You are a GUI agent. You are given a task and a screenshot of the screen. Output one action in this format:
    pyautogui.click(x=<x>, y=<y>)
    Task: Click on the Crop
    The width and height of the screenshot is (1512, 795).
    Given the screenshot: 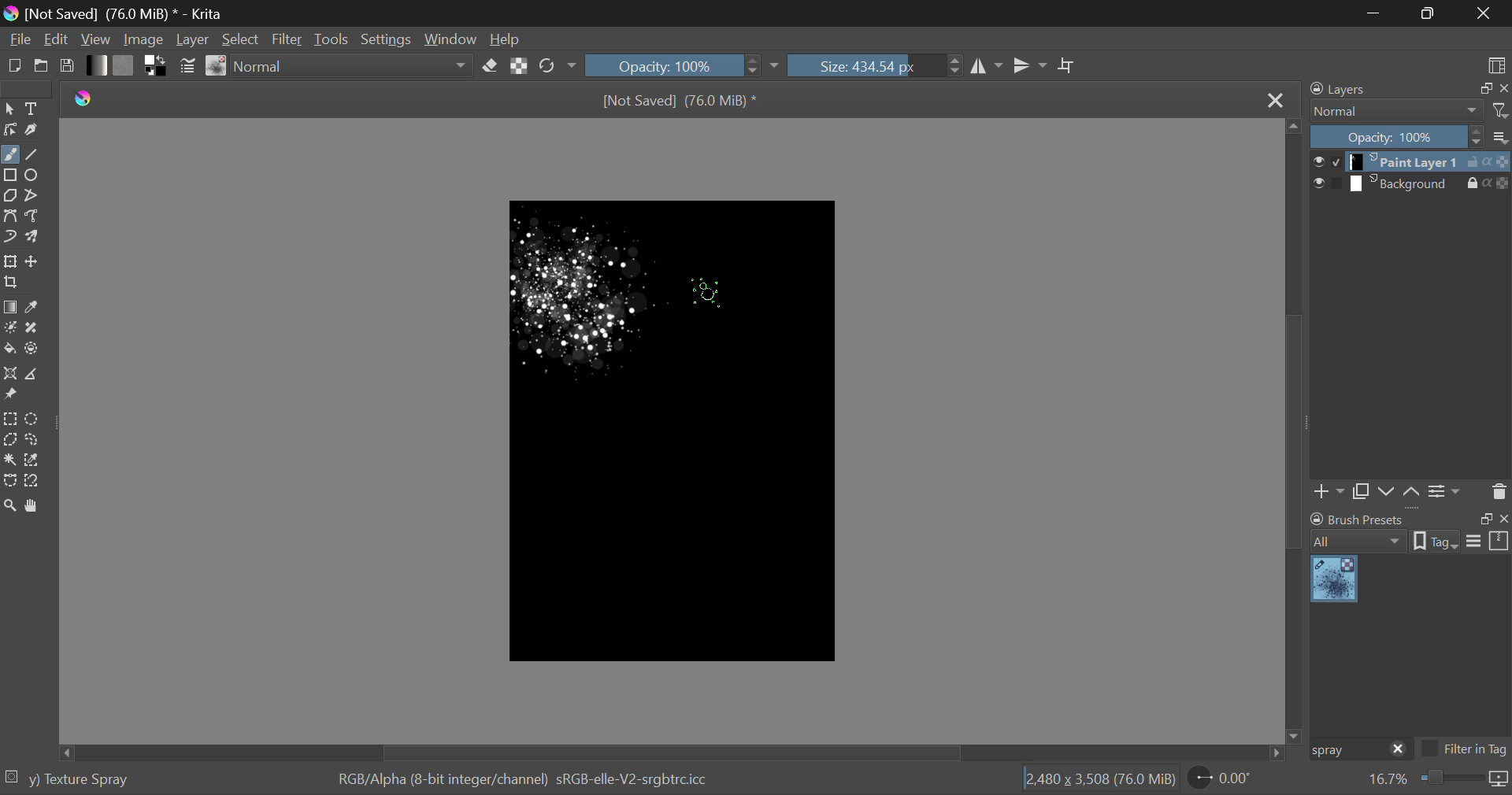 What is the action you would take?
    pyautogui.click(x=1069, y=66)
    